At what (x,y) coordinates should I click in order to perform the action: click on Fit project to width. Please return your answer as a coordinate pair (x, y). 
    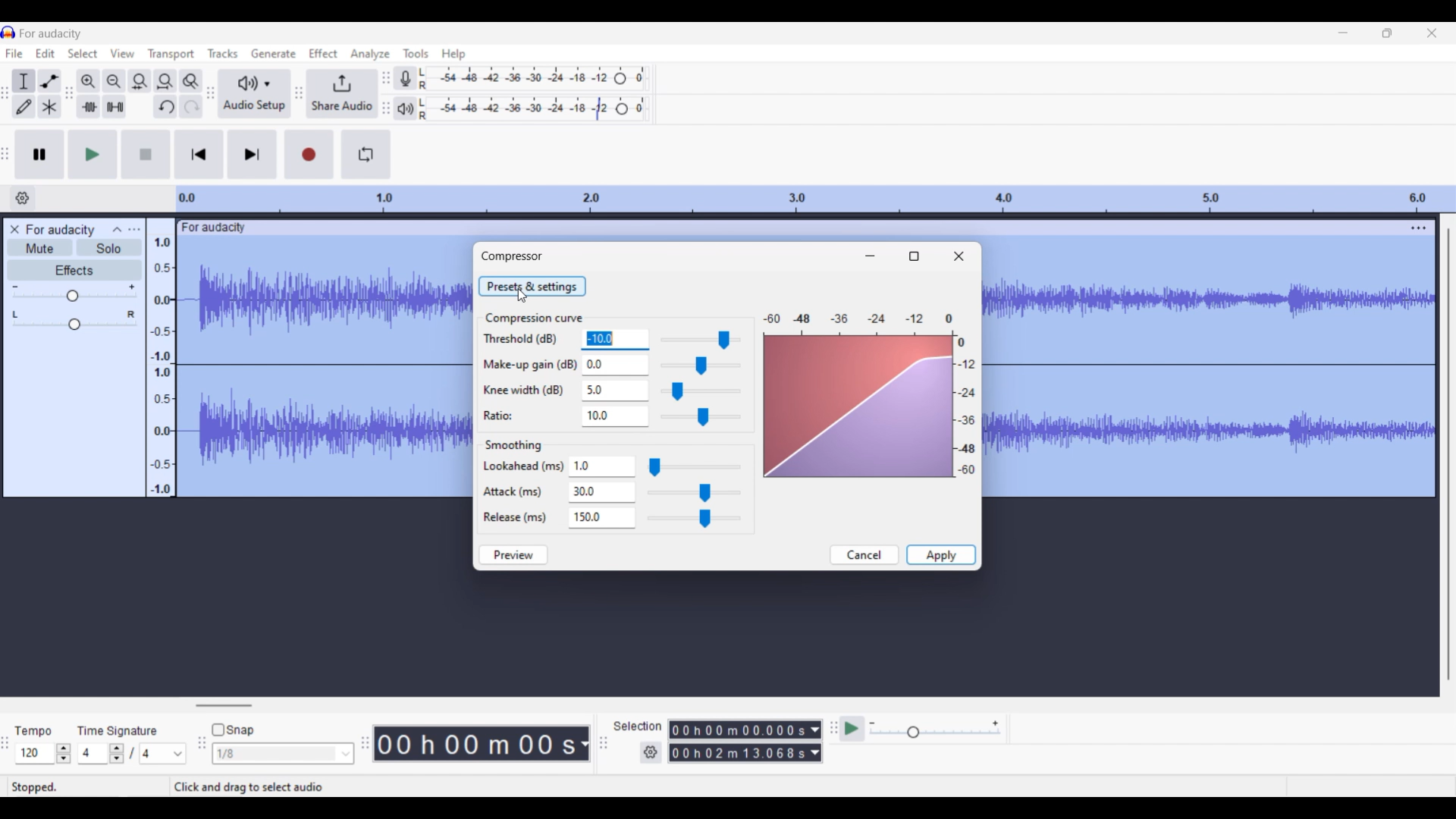
    Looking at the image, I should click on (165, 80).